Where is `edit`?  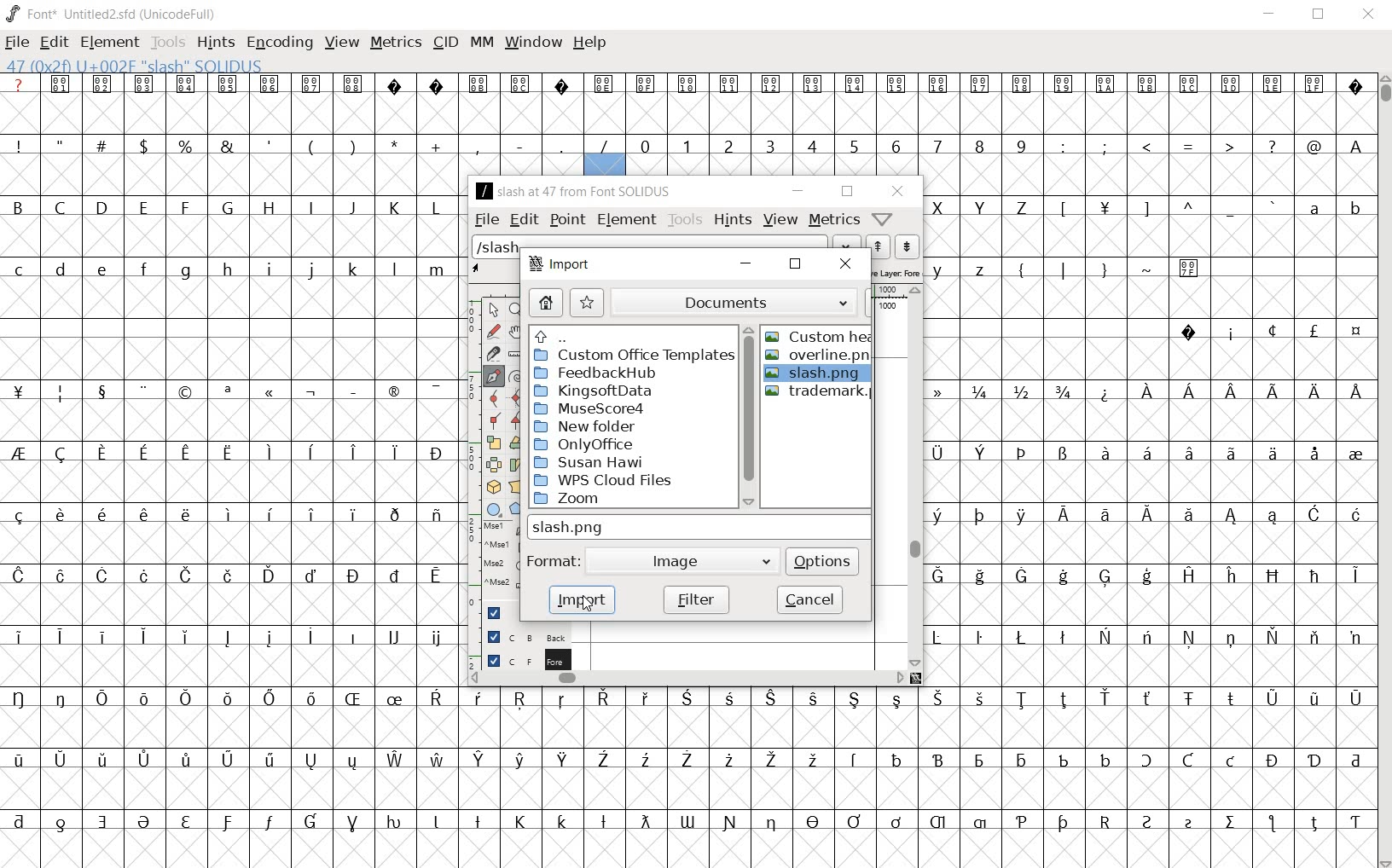
edit is located at coordinates (524, 219).